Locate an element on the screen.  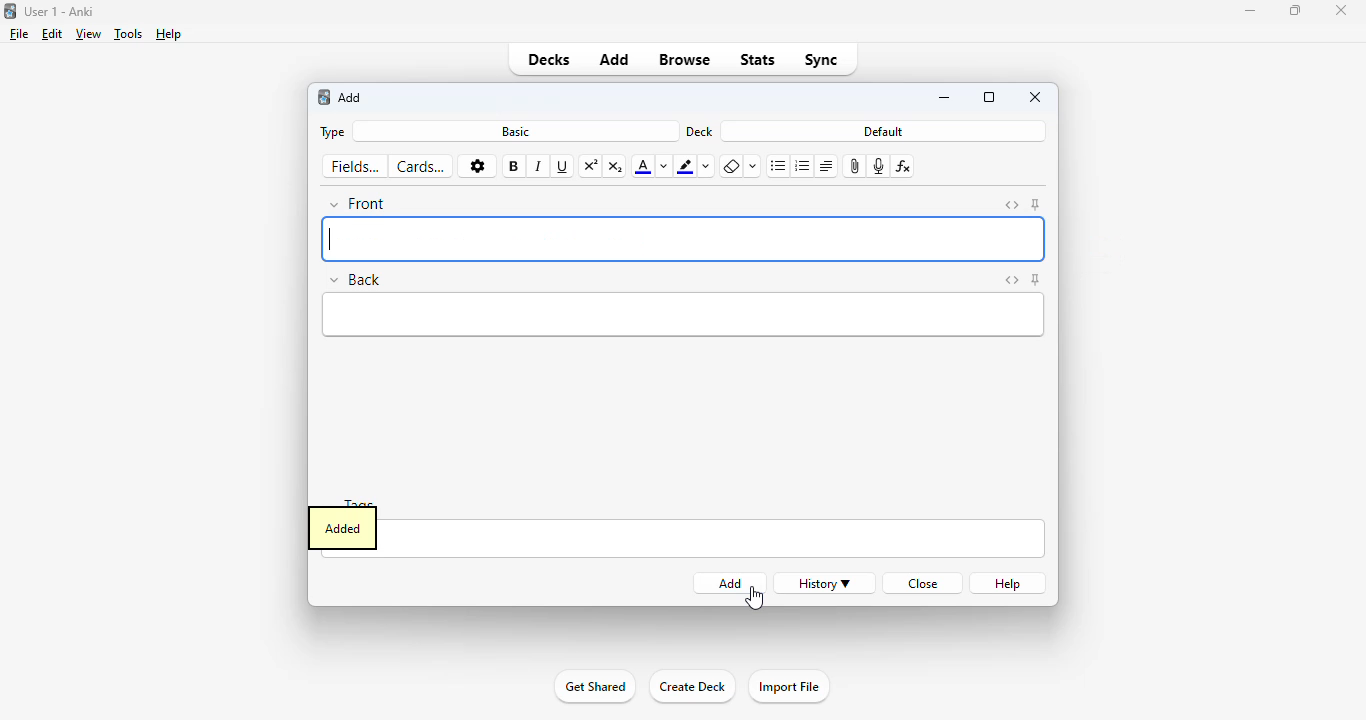
sync is located at coordinates (820, 60).